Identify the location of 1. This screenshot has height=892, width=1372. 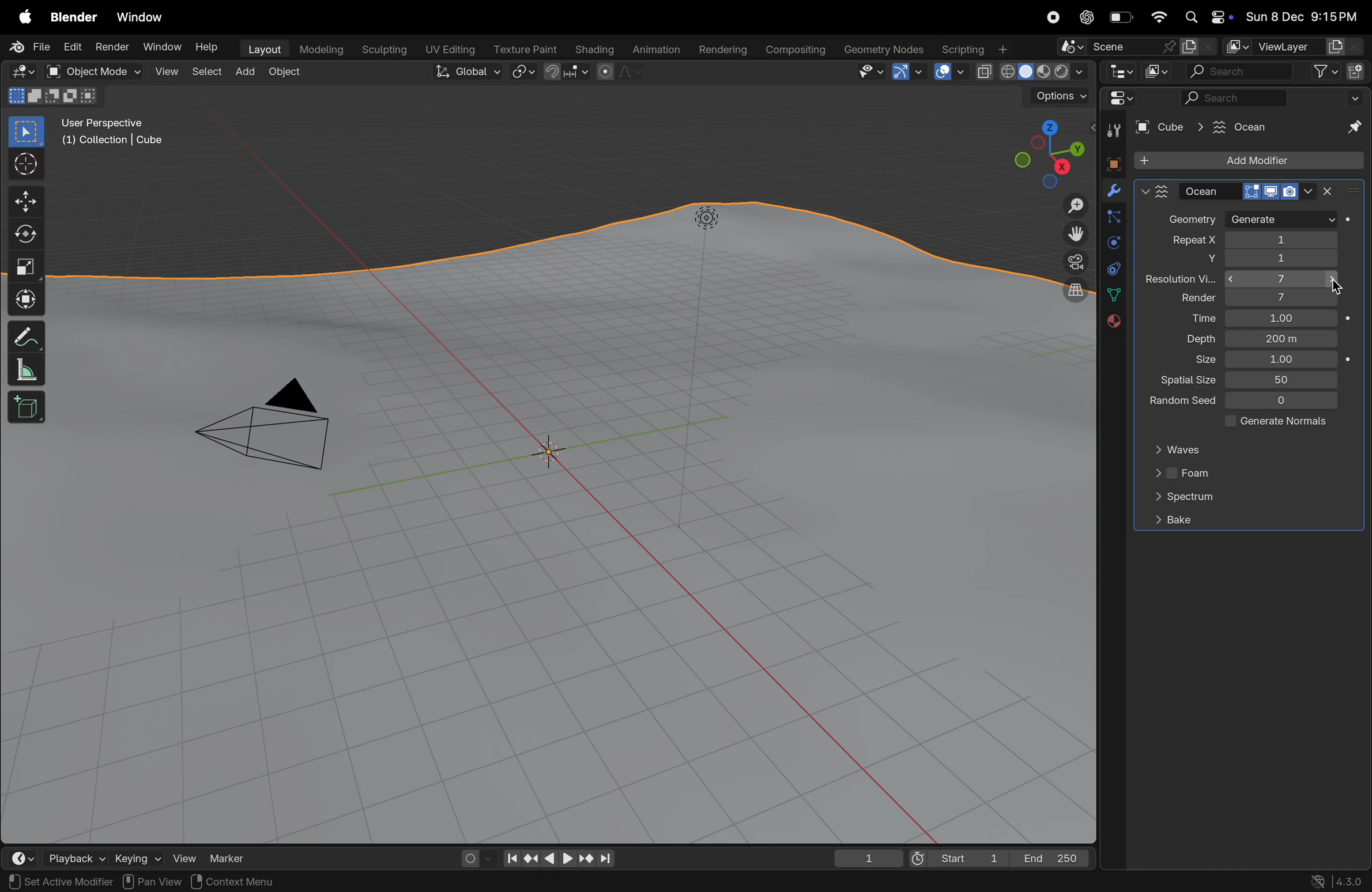
(869, 858).